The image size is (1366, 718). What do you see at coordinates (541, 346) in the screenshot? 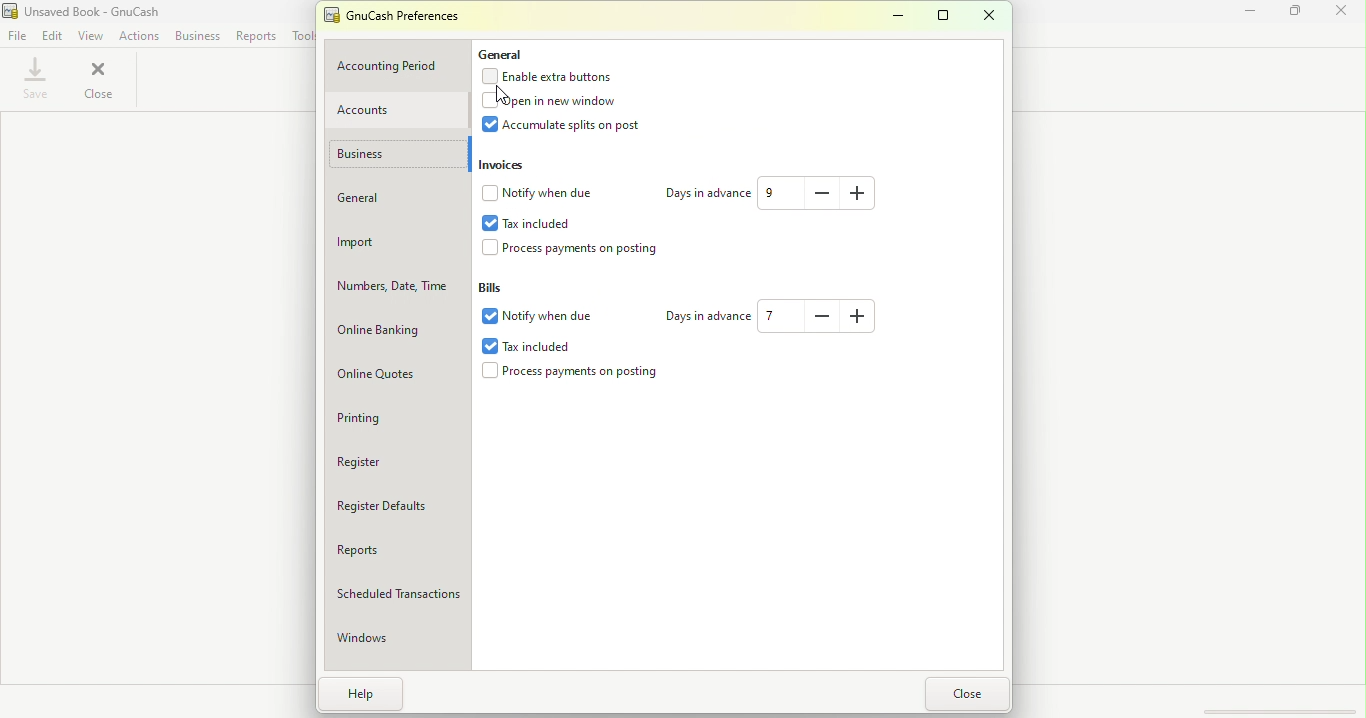
I see `Tax included` at bounding box center [541, 346].